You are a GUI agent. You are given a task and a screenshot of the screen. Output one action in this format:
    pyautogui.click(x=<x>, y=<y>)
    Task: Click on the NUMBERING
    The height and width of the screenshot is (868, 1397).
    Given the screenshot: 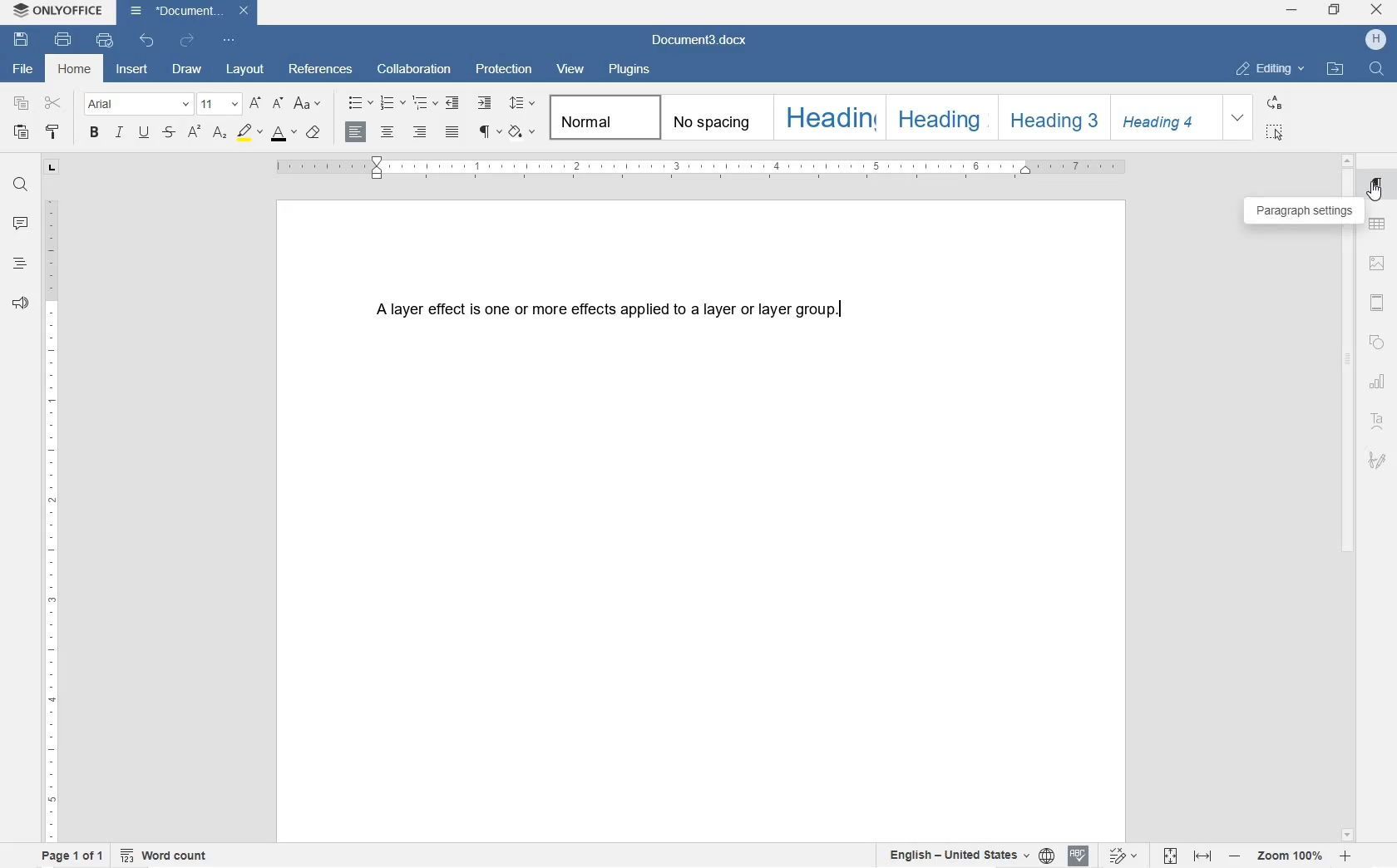 What is the action you would take?
    pyautogui.click(x=392, y=101)
    